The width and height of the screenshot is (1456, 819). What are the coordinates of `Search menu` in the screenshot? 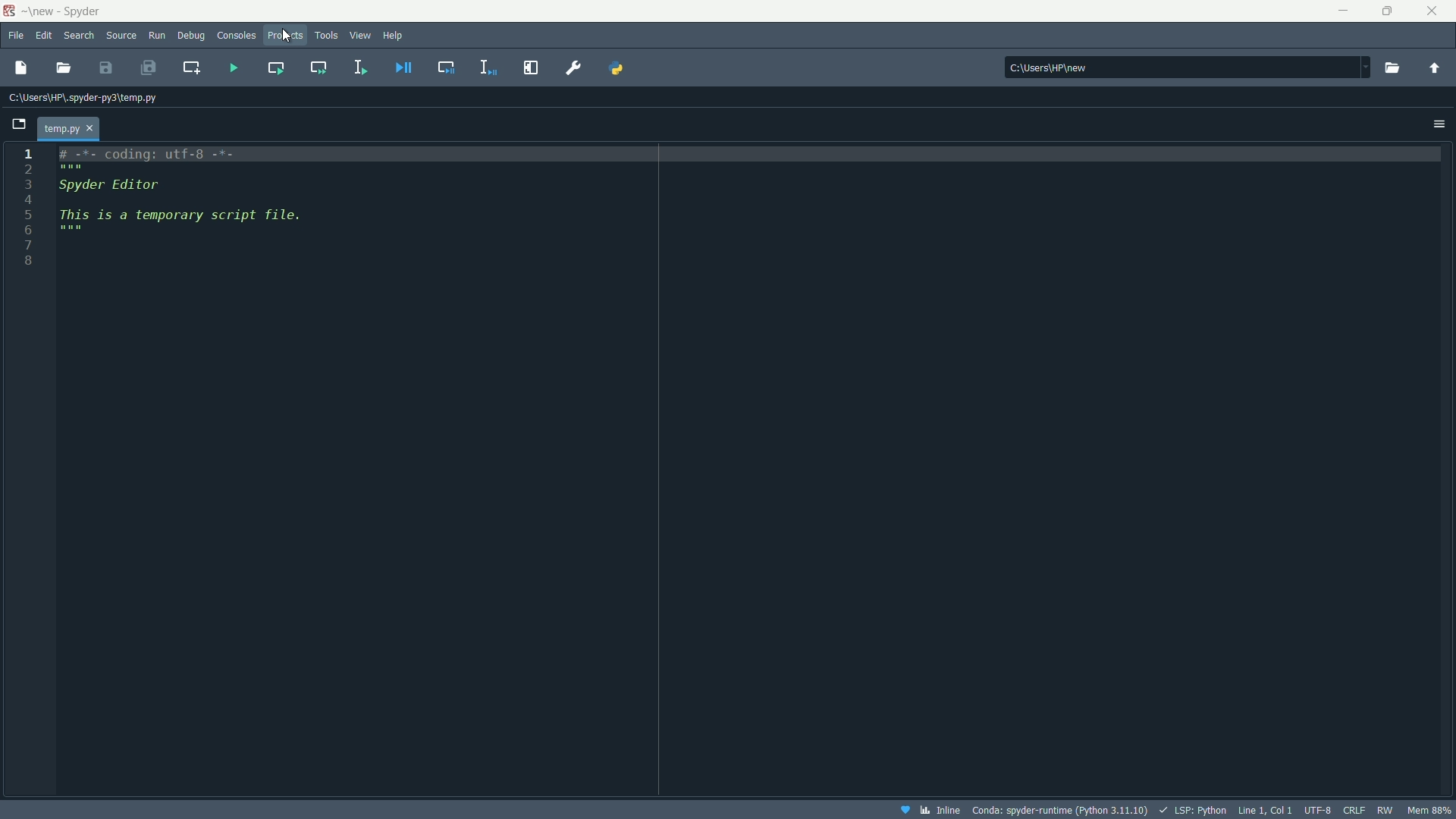 It's located at (79, 37).